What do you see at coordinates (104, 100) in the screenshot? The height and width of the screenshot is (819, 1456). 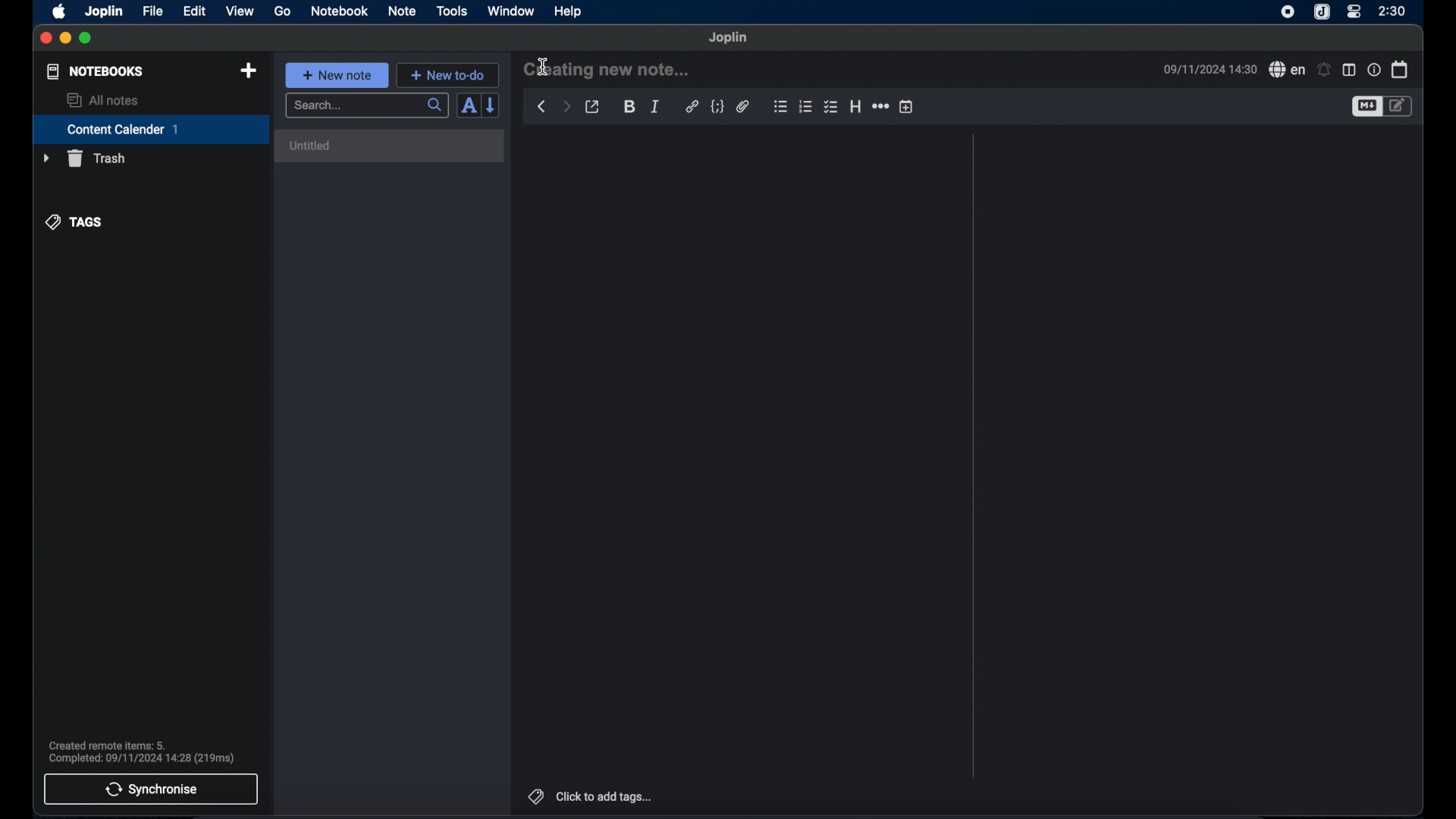 I see `allnotes` at bounding box center [104, 100].